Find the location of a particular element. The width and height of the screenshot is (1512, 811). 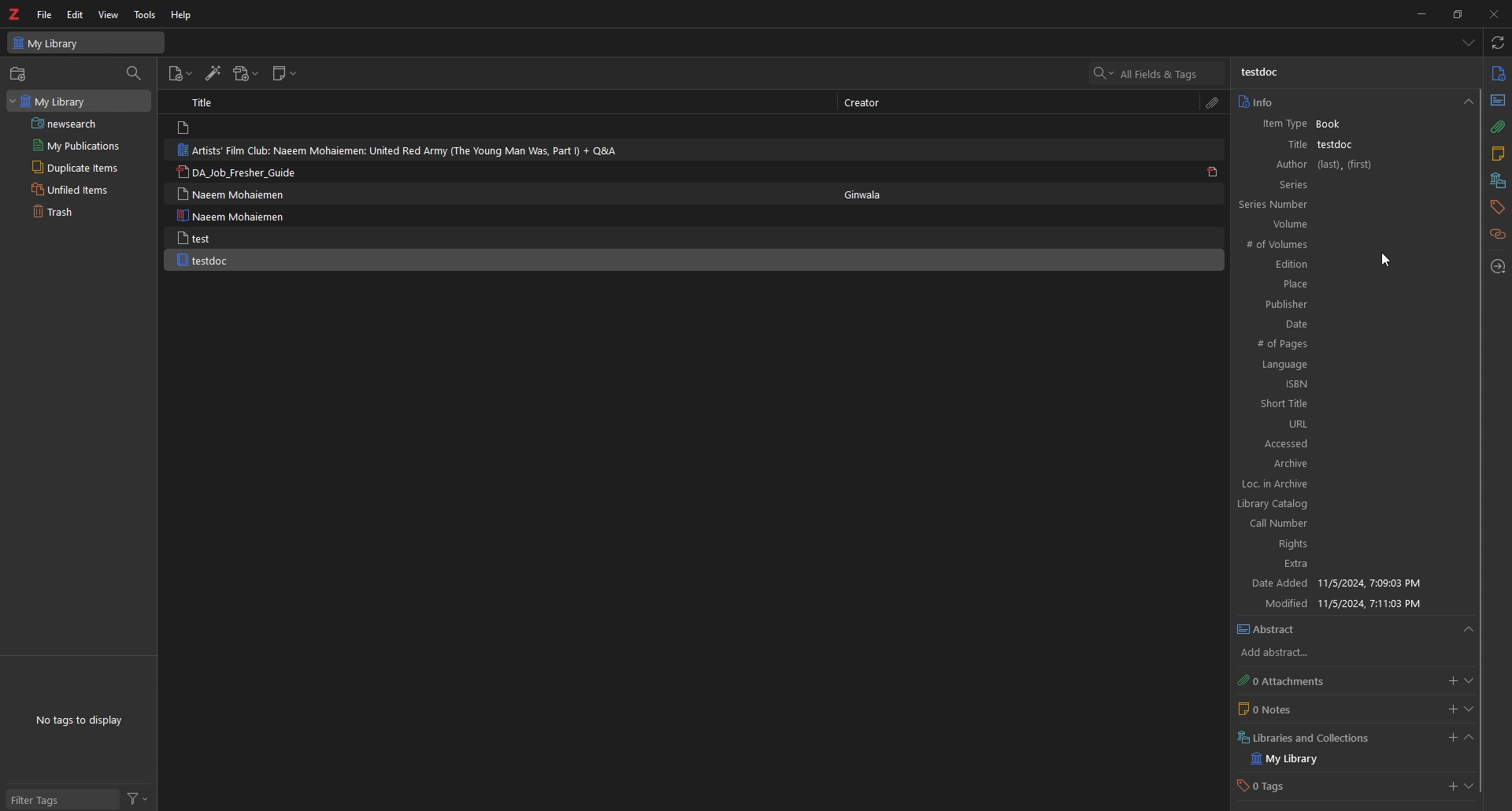

new collection is located at coordinates (20, 74).